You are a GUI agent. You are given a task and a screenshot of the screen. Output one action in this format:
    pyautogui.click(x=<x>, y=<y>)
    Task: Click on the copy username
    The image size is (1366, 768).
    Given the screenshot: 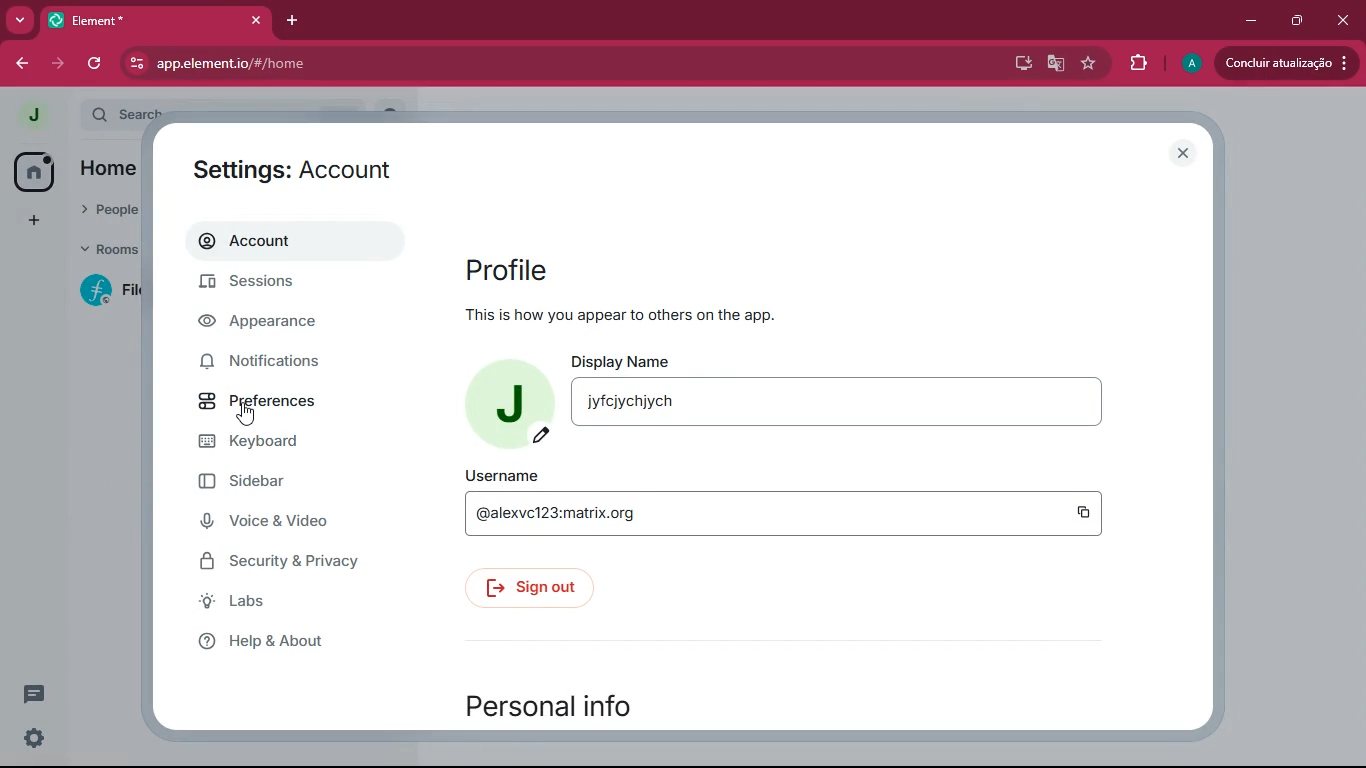 What is the action you would take?
    pyautogui.click(x=1080, y=512)
    